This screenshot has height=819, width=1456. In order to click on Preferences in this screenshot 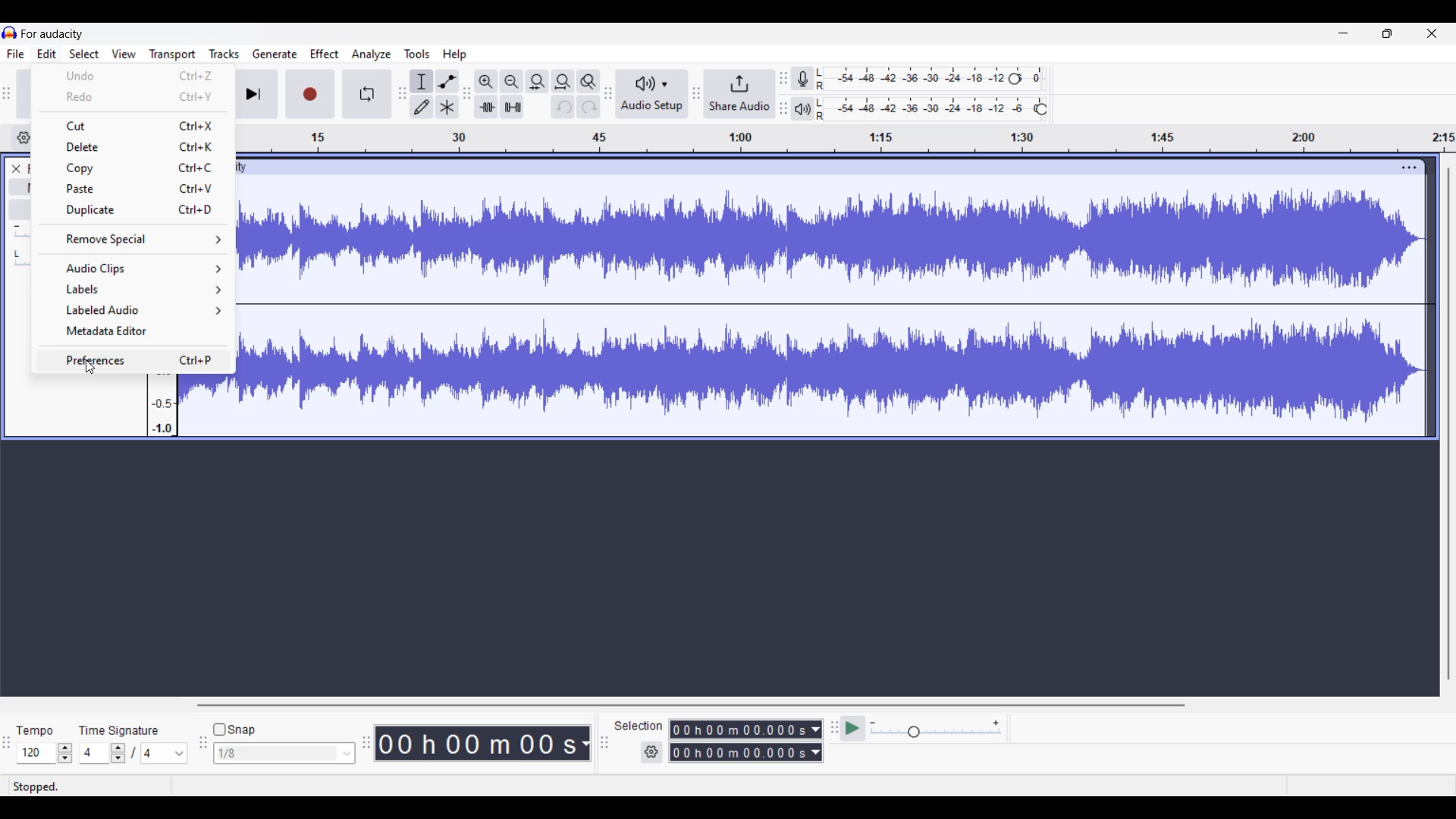, I will do `click(135, 359)`.